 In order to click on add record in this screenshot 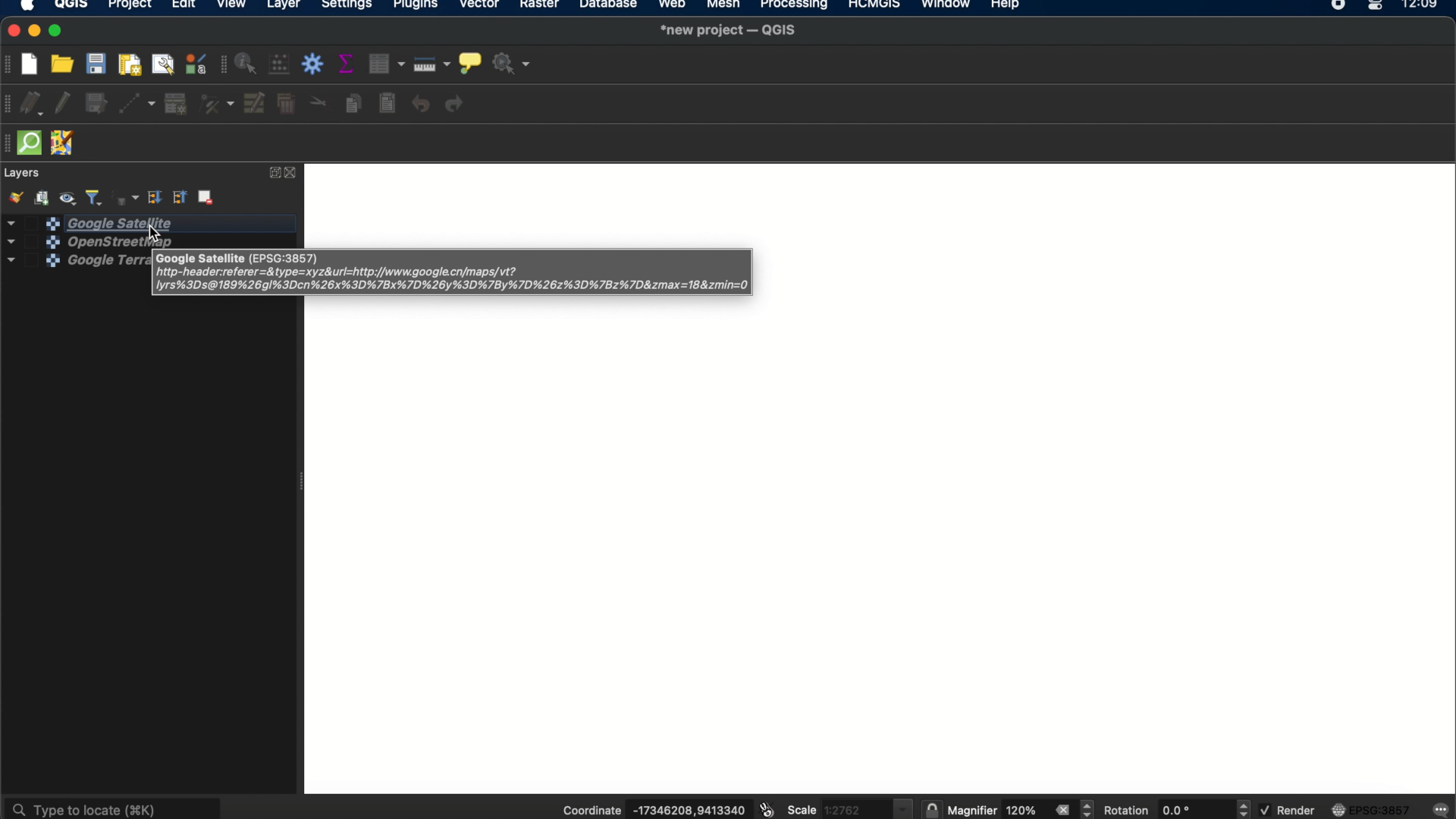, I will do `click(175, 104)`.